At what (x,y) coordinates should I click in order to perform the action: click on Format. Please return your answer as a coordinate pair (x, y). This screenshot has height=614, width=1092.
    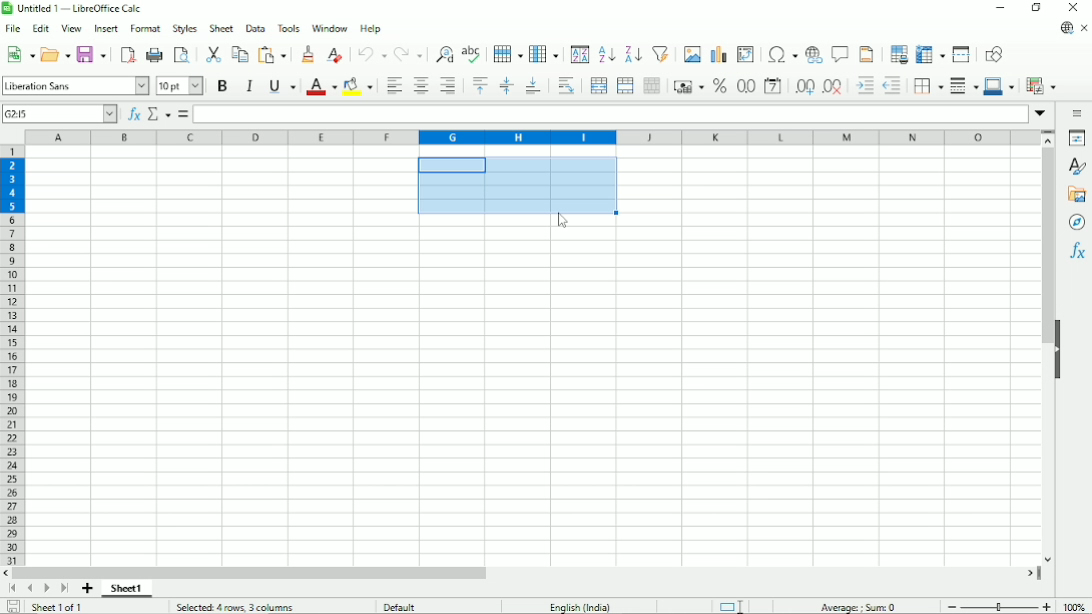
    Looking at the image, I should click on (145, 29).